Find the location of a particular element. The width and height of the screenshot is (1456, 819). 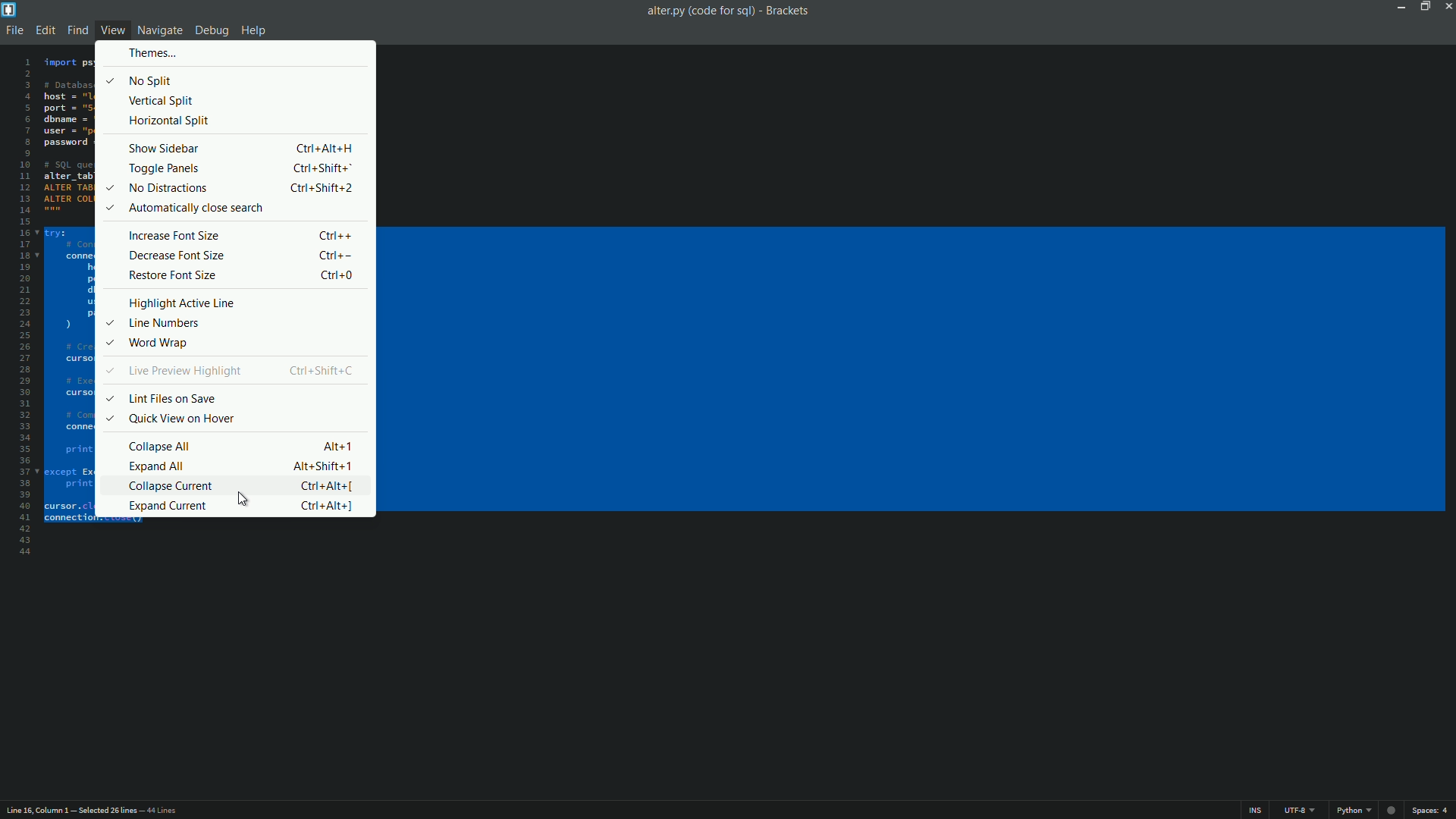

app icon is located at coordinates (9, 9).